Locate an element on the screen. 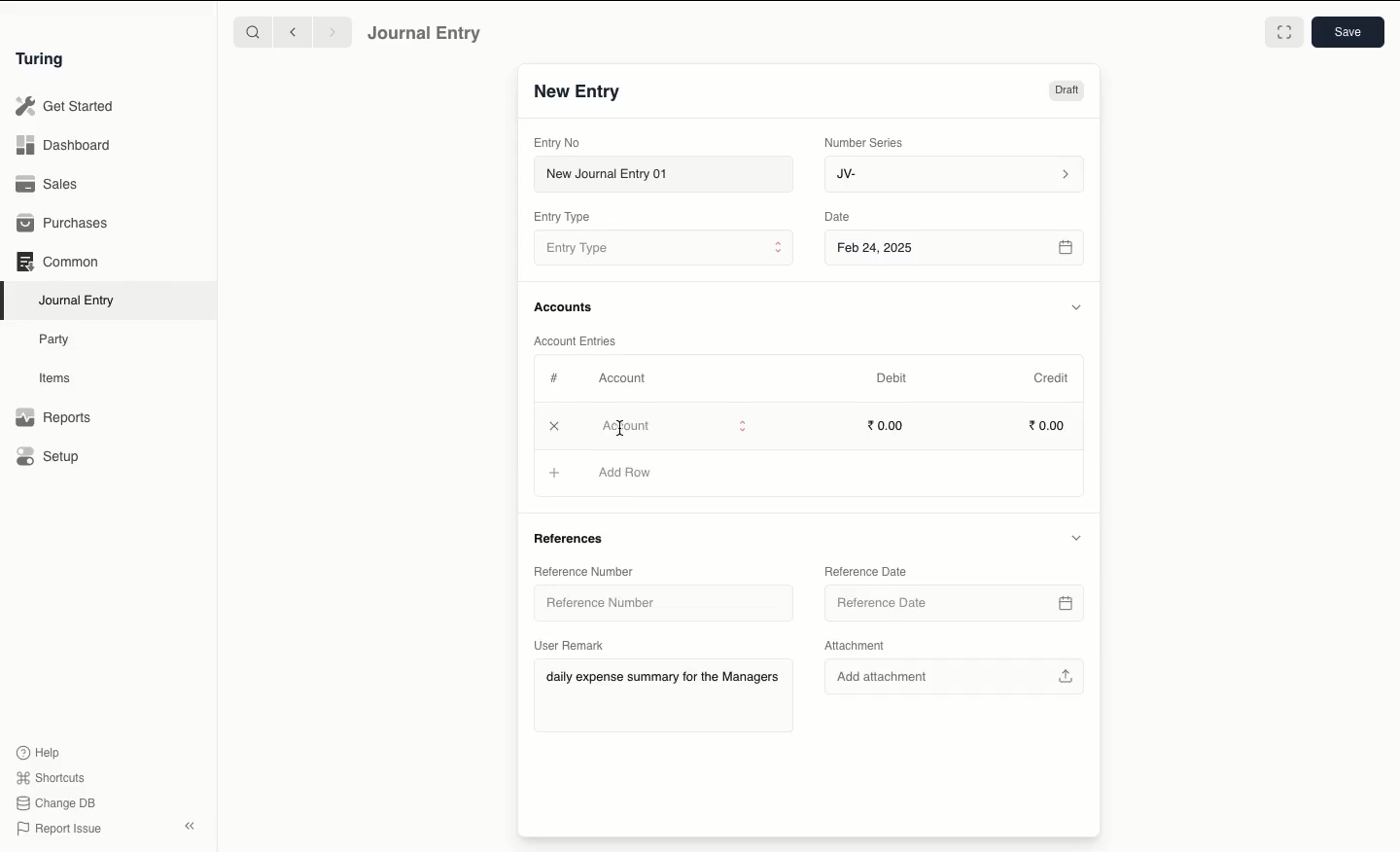  Get Started is located at coordinates (66, 107).